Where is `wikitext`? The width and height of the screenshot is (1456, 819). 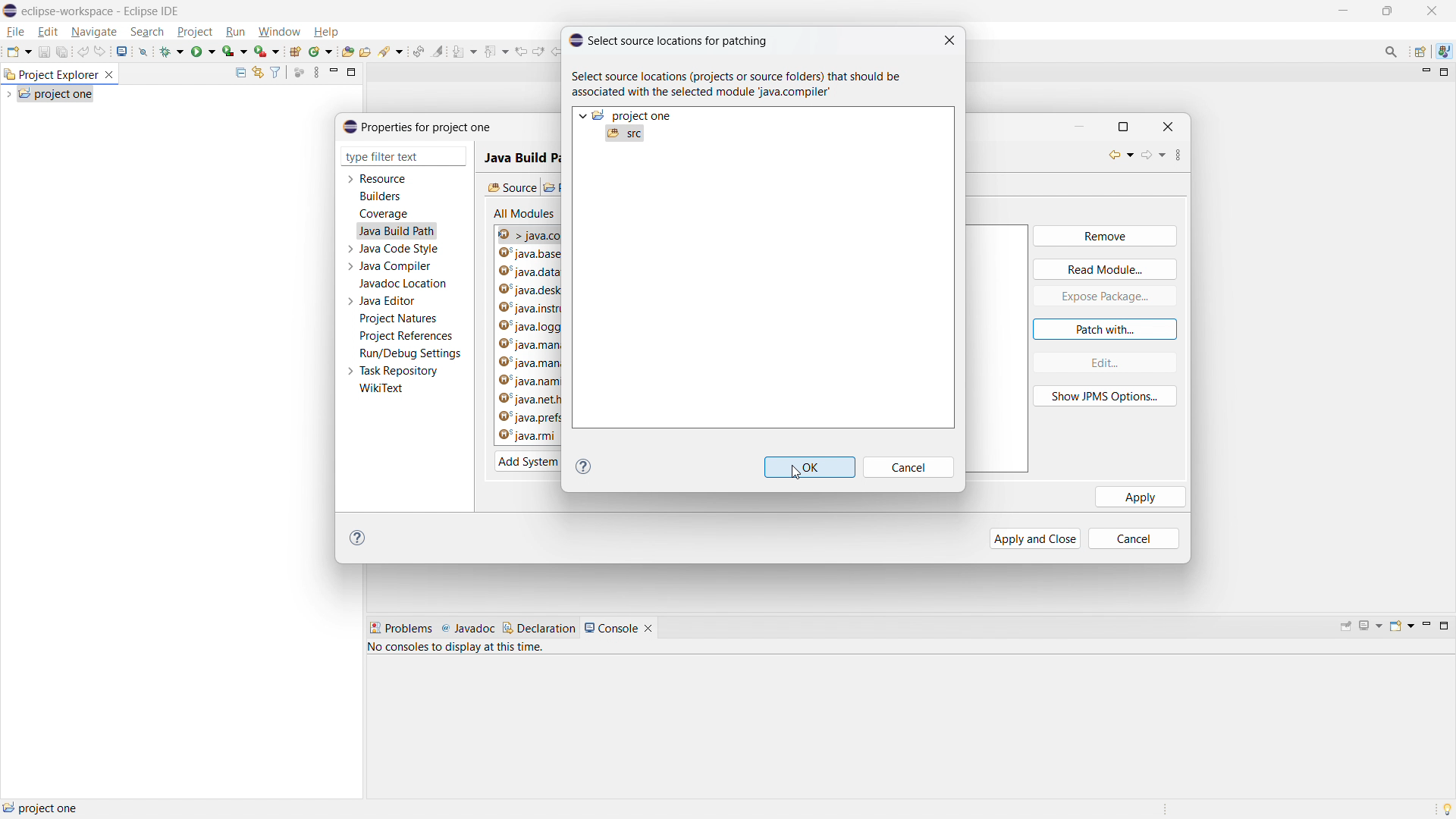 wikitext is located at coordinates (382, 389).